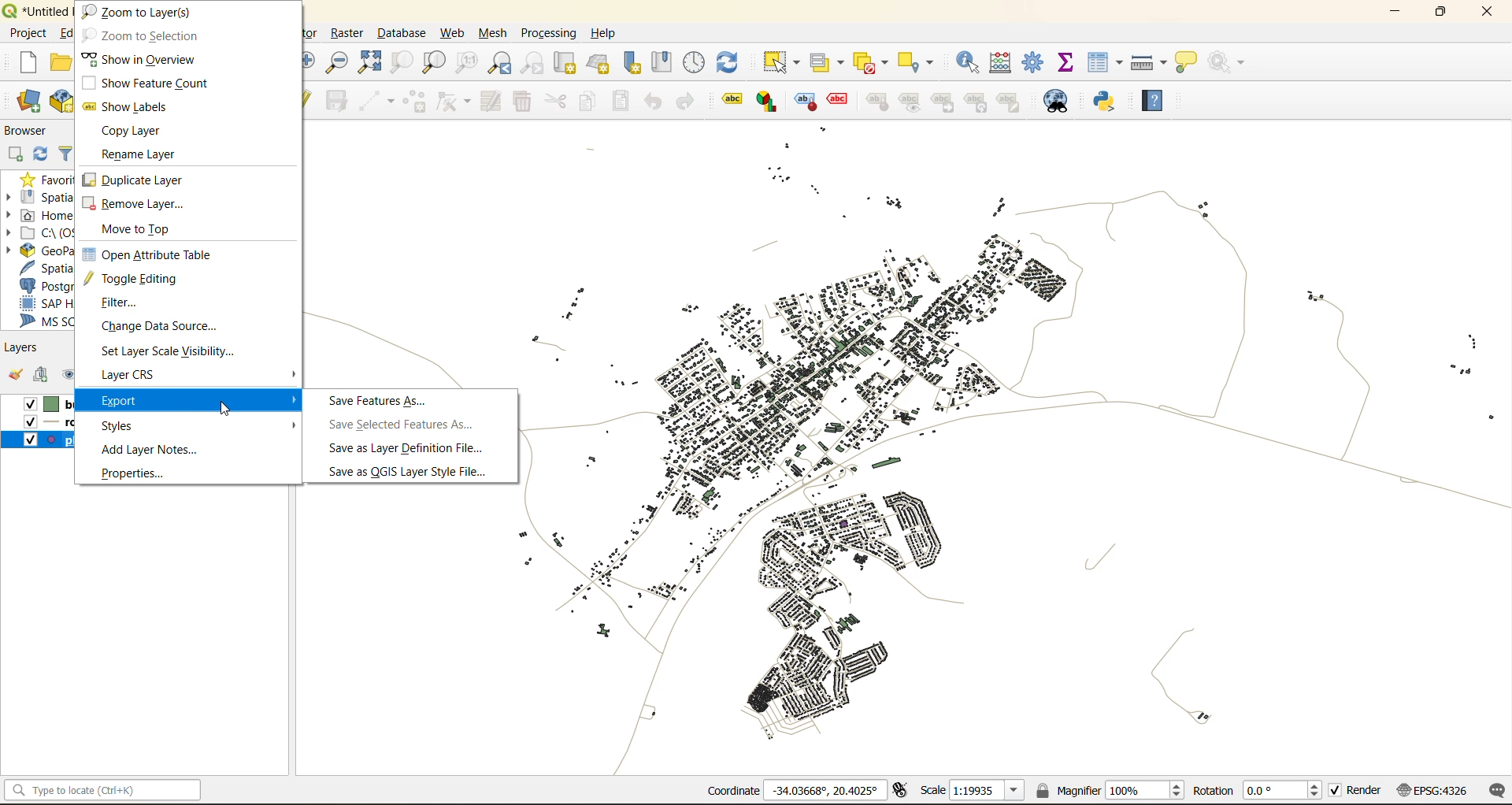  What do you see at coordinates (921, 61) in the screenshot?
I see `select location` at bounding box center [921, 61].